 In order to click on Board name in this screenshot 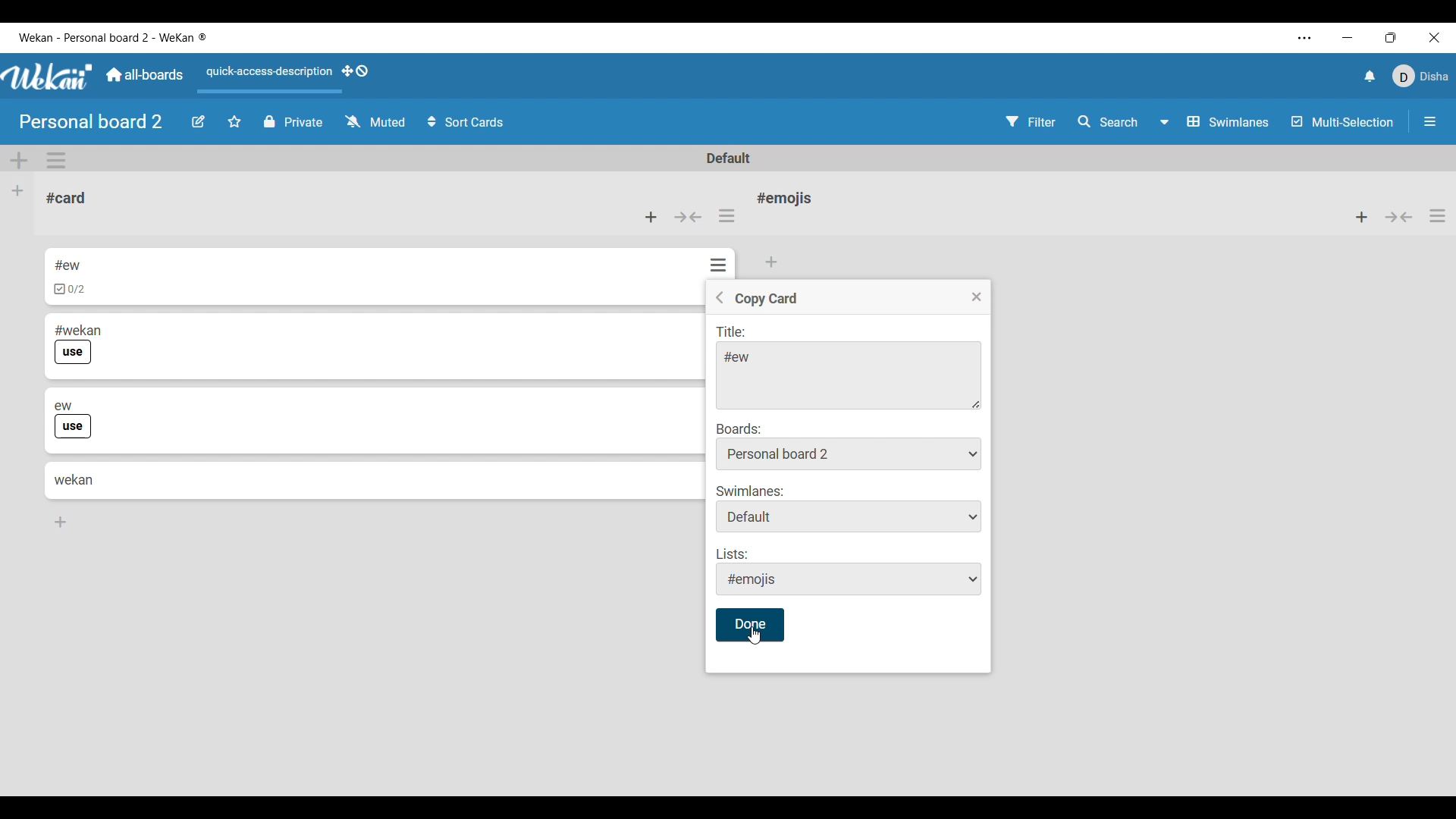, I will do `click(93, 121)`.